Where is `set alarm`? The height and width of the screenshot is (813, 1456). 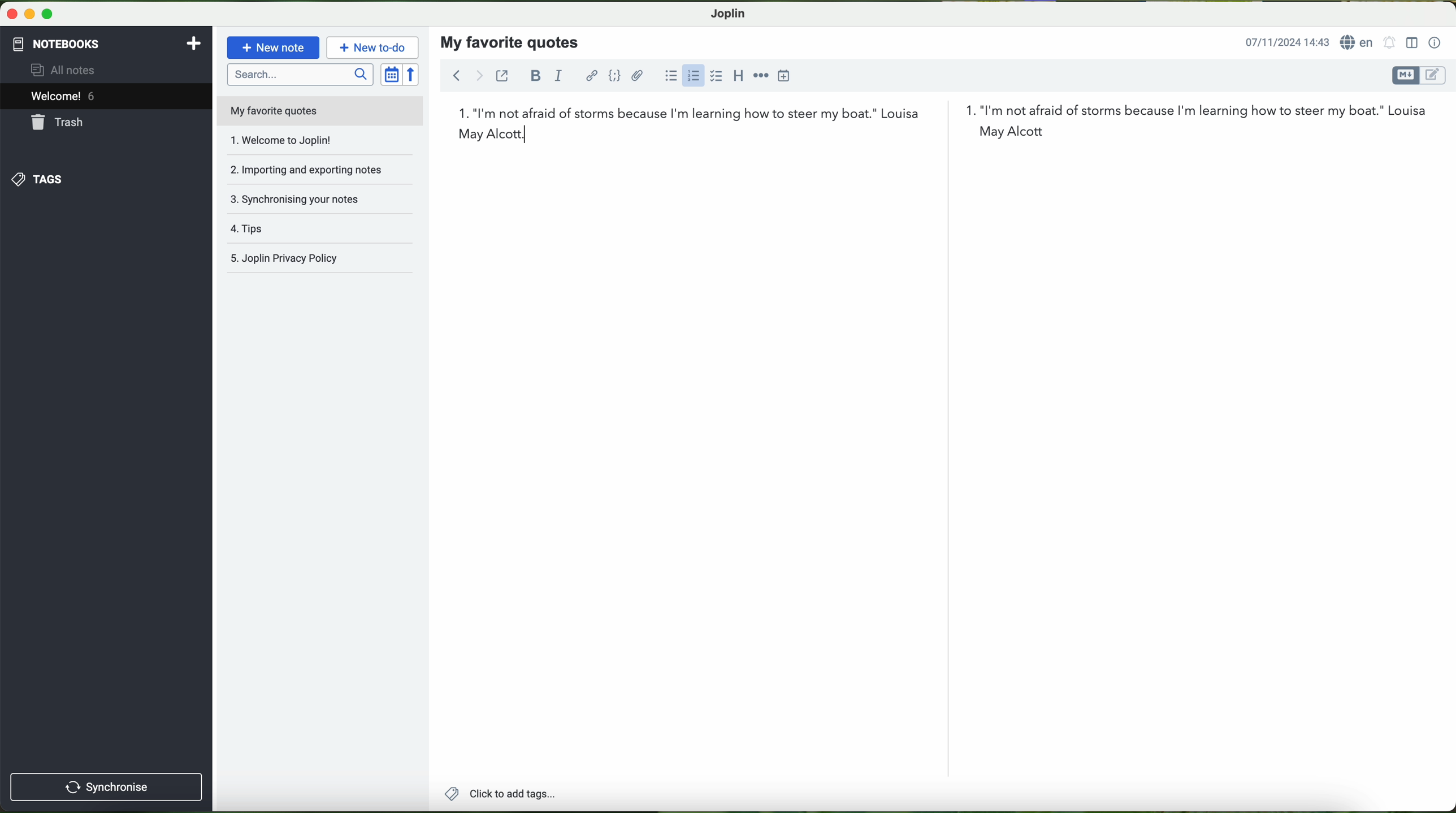 set alarm is located at coordinates (1389, 45).